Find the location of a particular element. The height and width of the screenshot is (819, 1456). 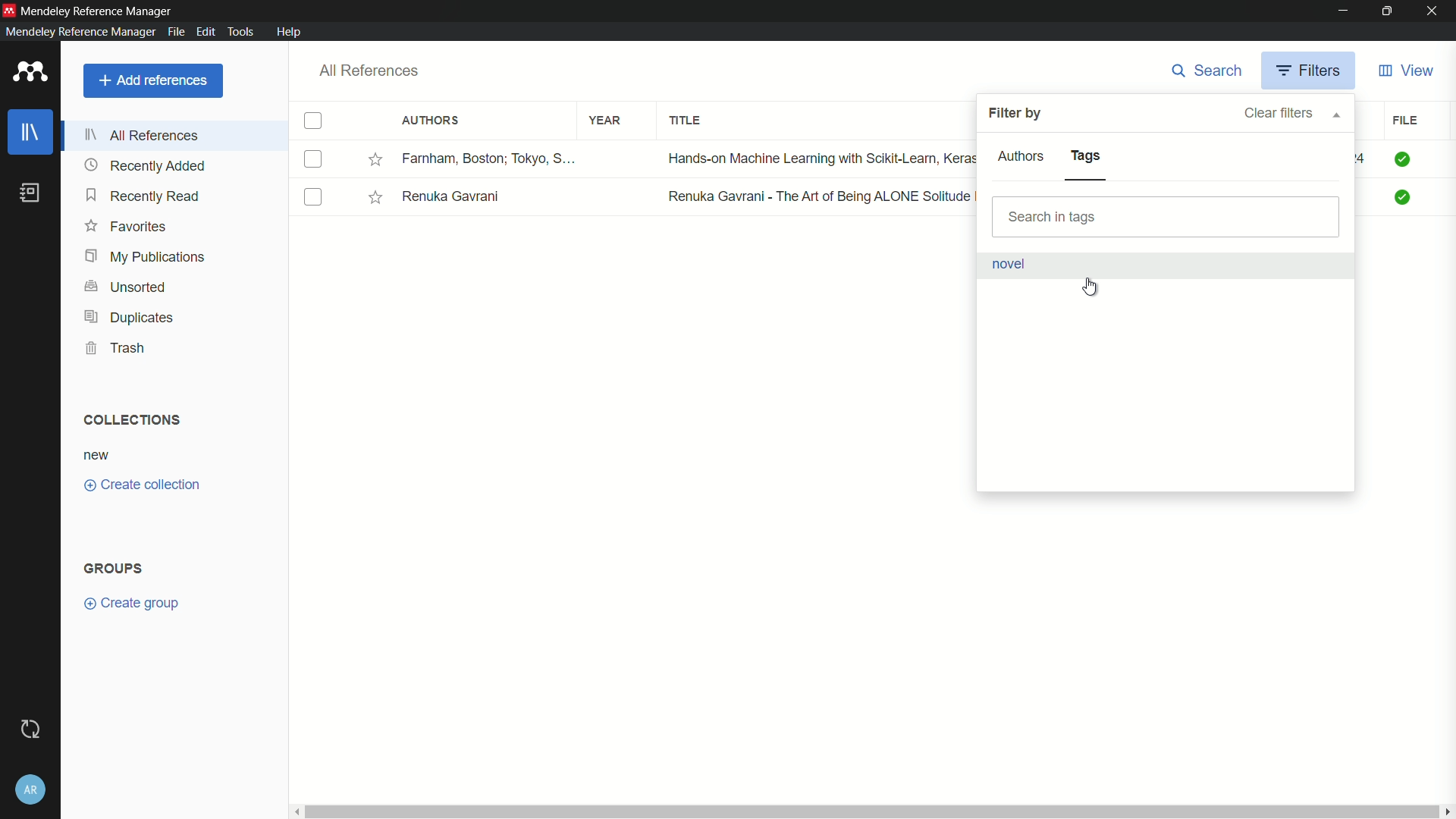

trash is located at coordinates (115, 347).